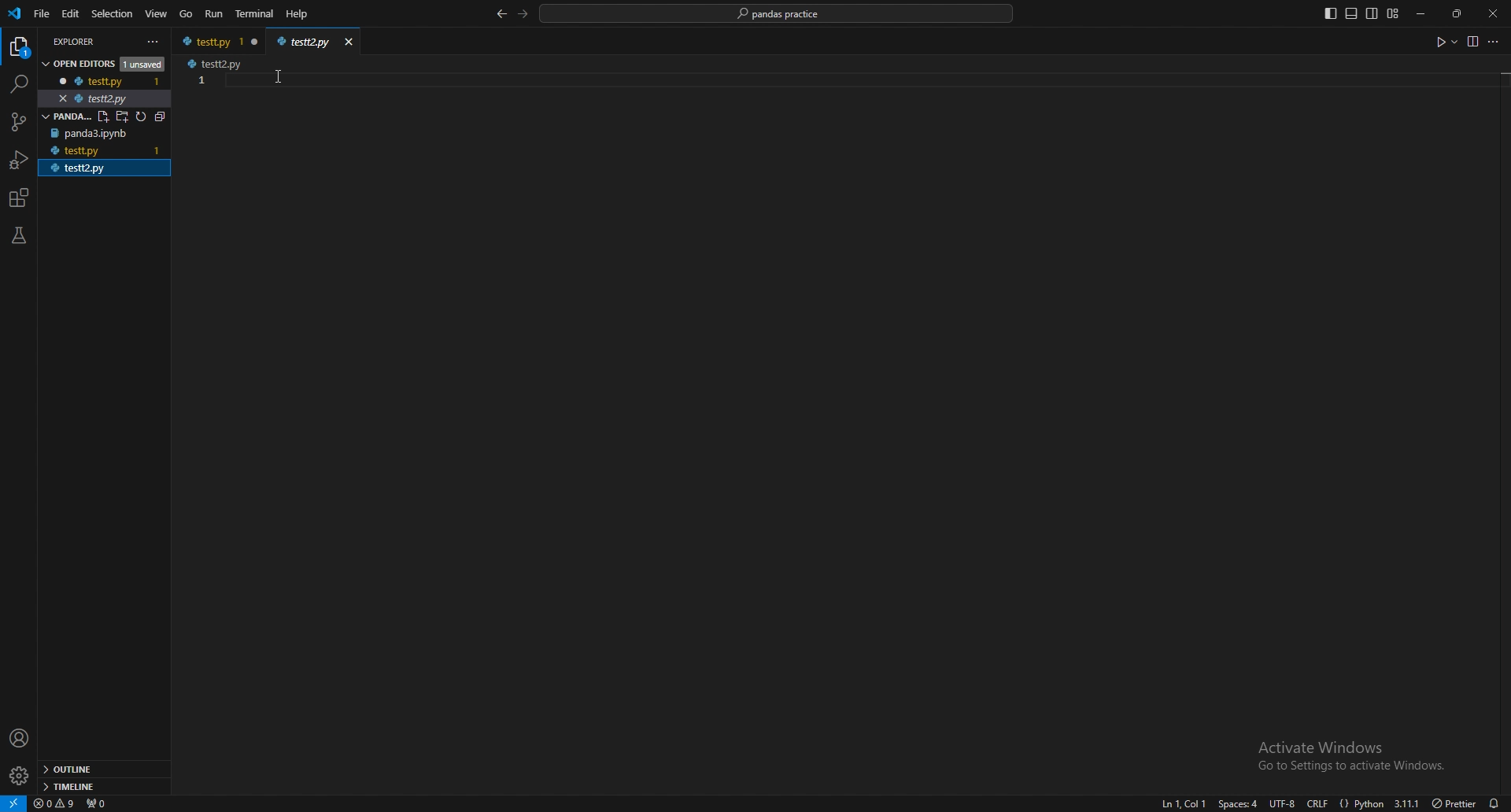 The image size is (1511, 812). Describe the element at coordinates (778, 14) in the screenshot. I see `pandas practice` at that location.